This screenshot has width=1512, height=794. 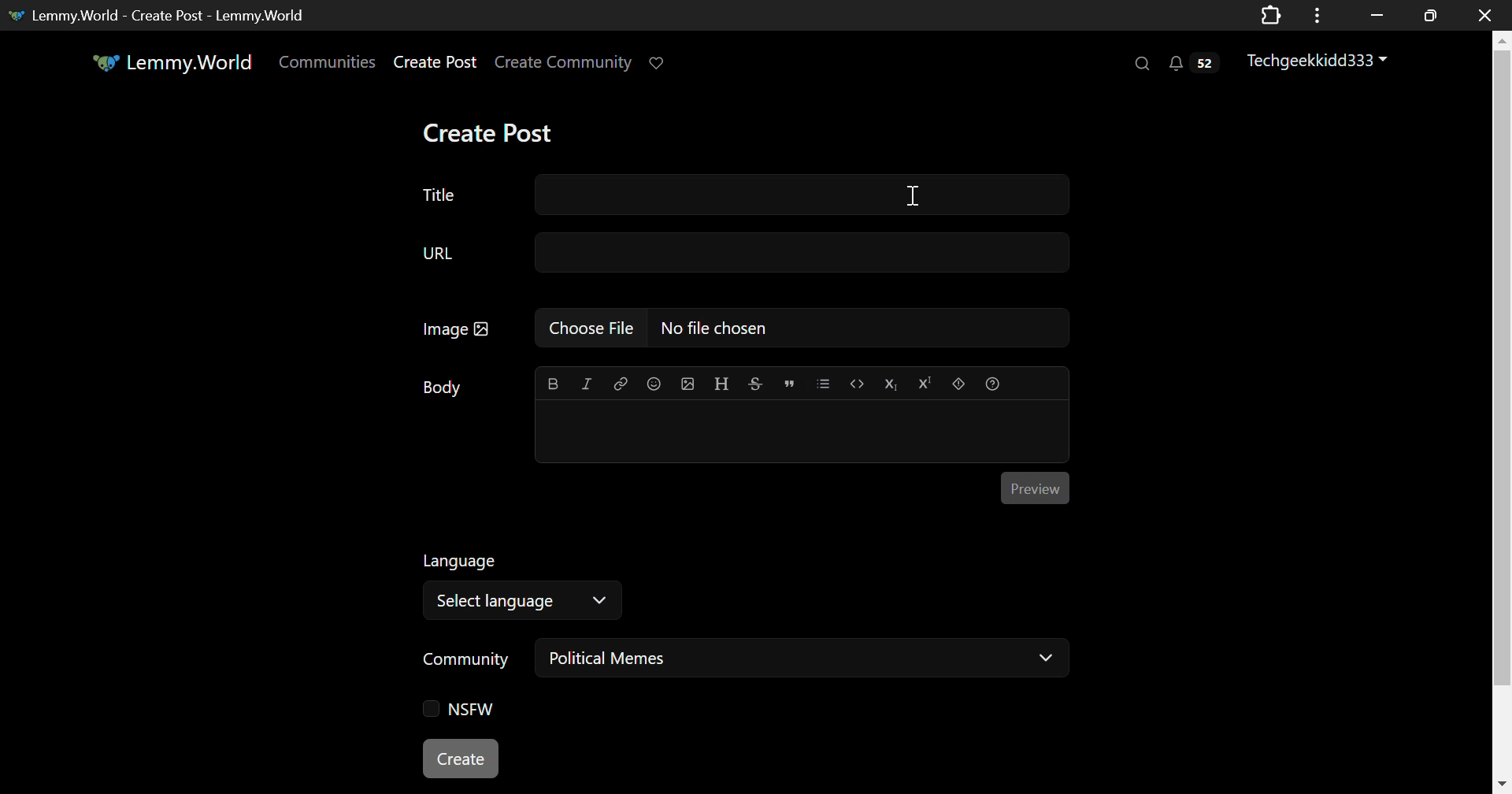 I want to click on Insert Image, so click(x=689, y=384).